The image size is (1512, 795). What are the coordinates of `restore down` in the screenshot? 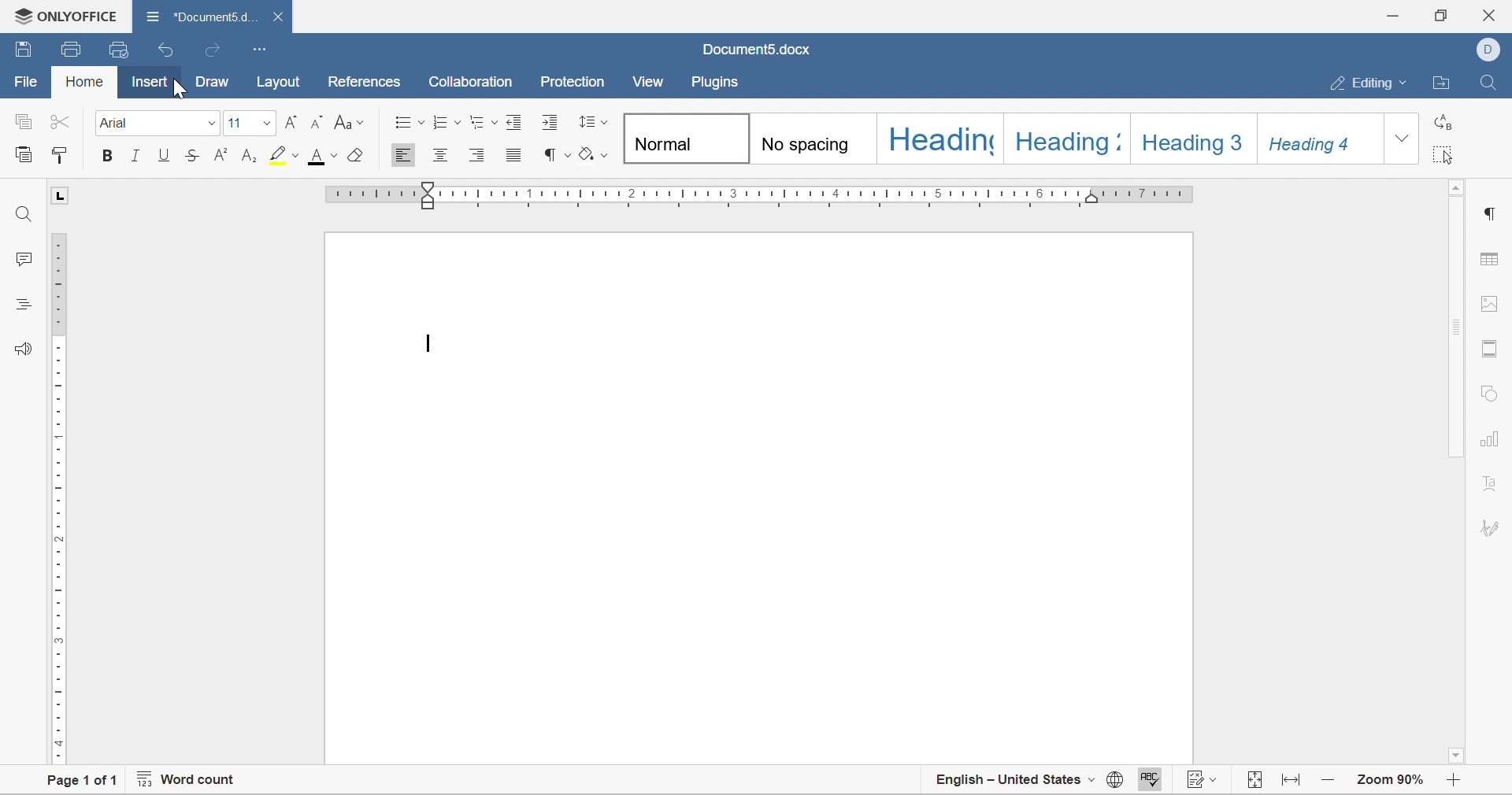 It's located at (1440, 13).